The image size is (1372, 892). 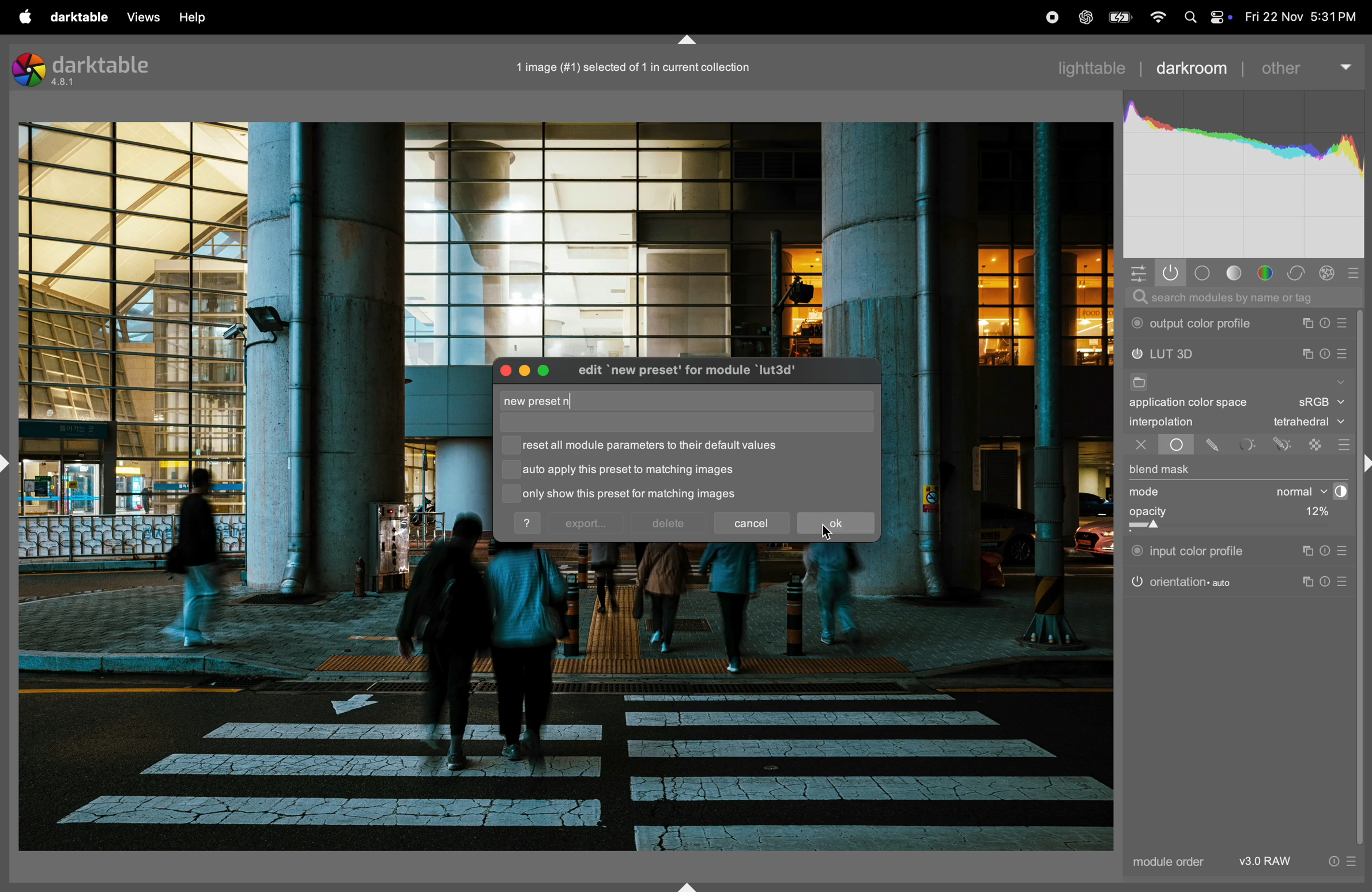 What do you see at coordinates (1363, 465) in the screenshot?
I see `` at bounding box center [1363, 465].